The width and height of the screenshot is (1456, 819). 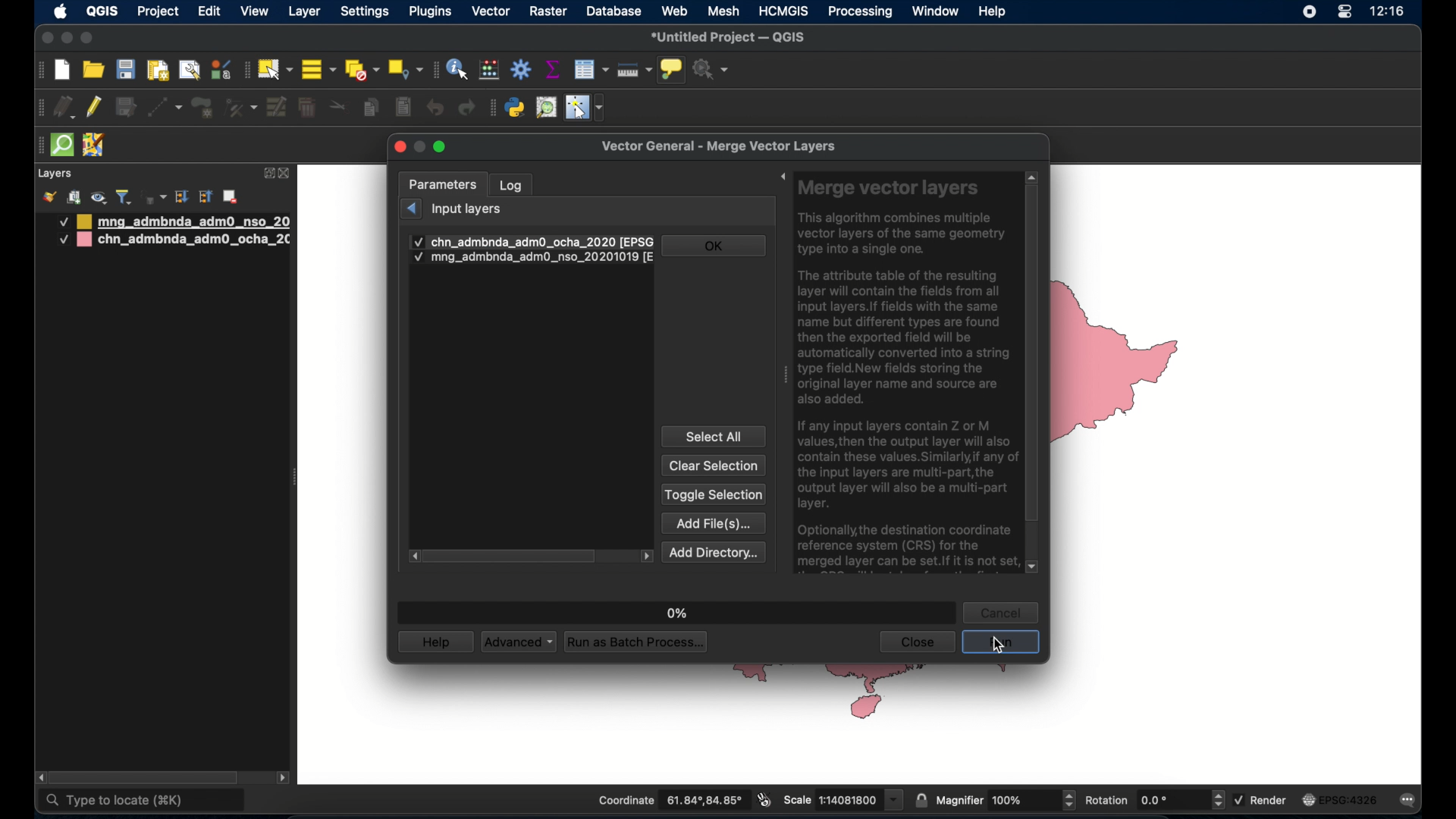 What do you see at coordinates (49, 197) in the screenshot?
I see `open layer styling panel` at bounding box center [49, 197].